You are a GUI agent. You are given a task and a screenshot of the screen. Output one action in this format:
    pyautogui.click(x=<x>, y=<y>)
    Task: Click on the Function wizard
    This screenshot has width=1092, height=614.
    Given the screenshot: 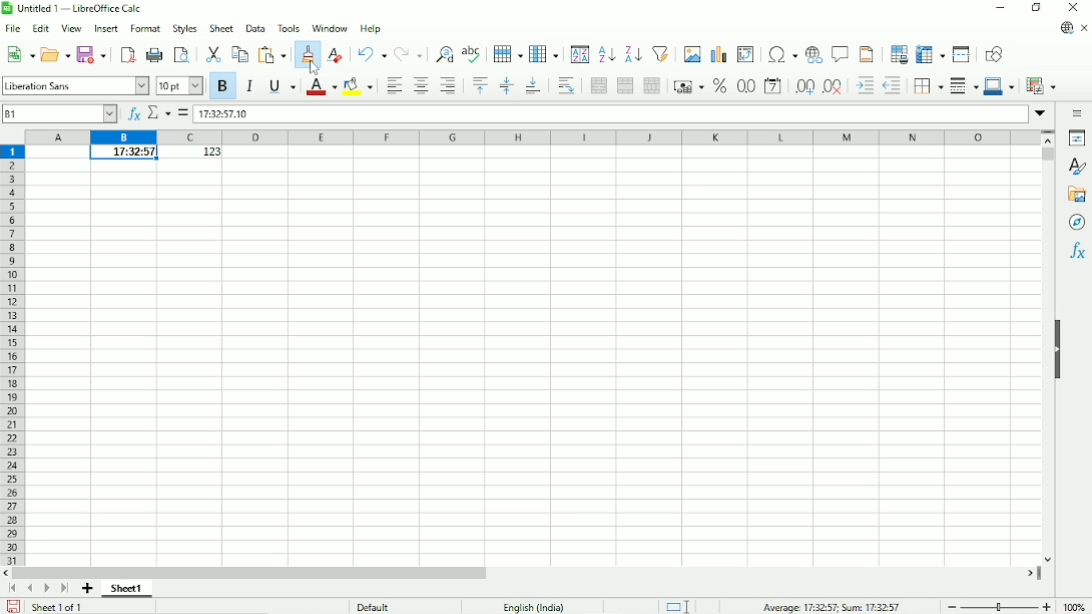 What is the action you would take?
    pyautogui.click(x=130, y=113)
    